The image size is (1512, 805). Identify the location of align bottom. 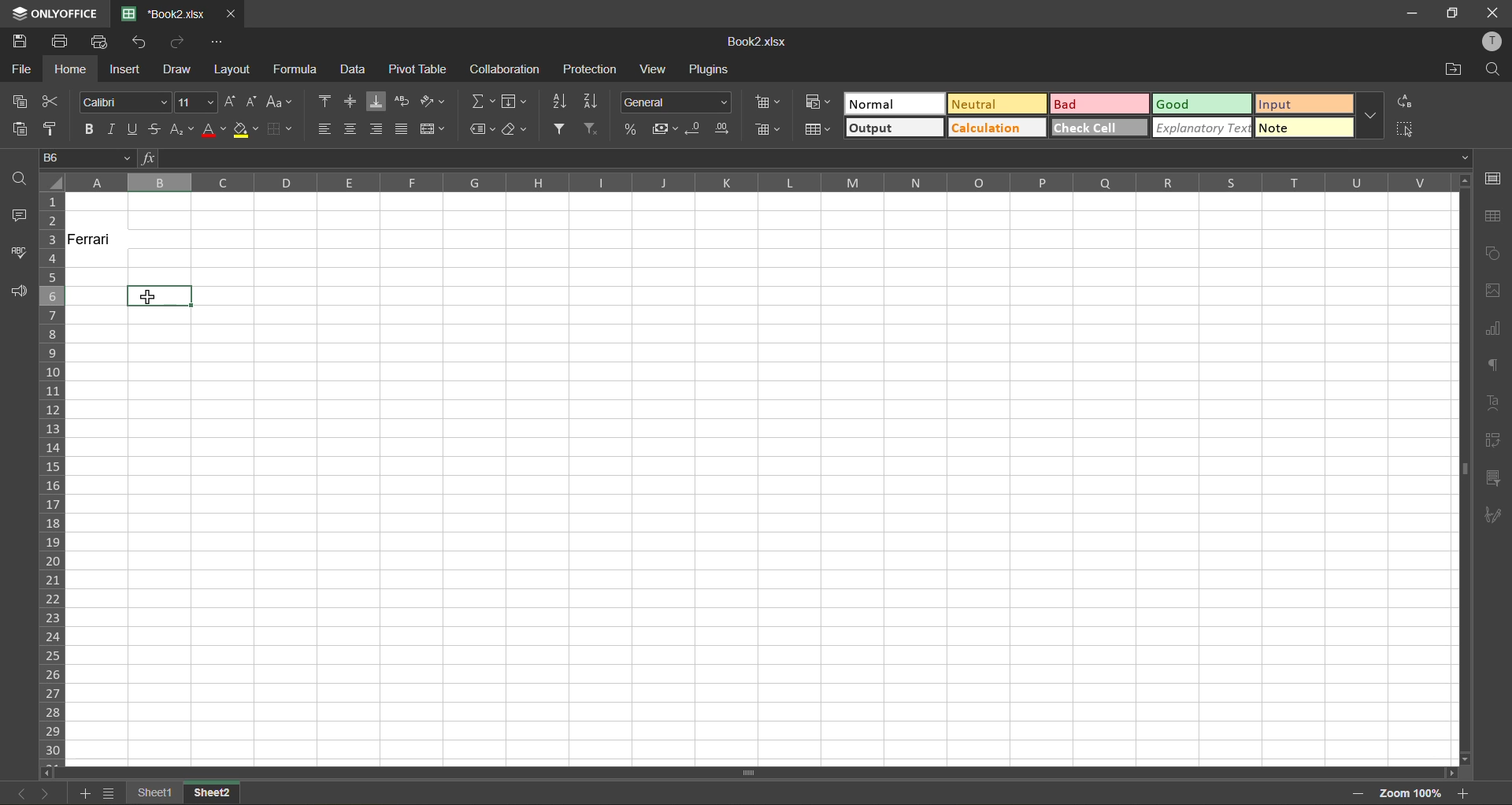
(377, 102).